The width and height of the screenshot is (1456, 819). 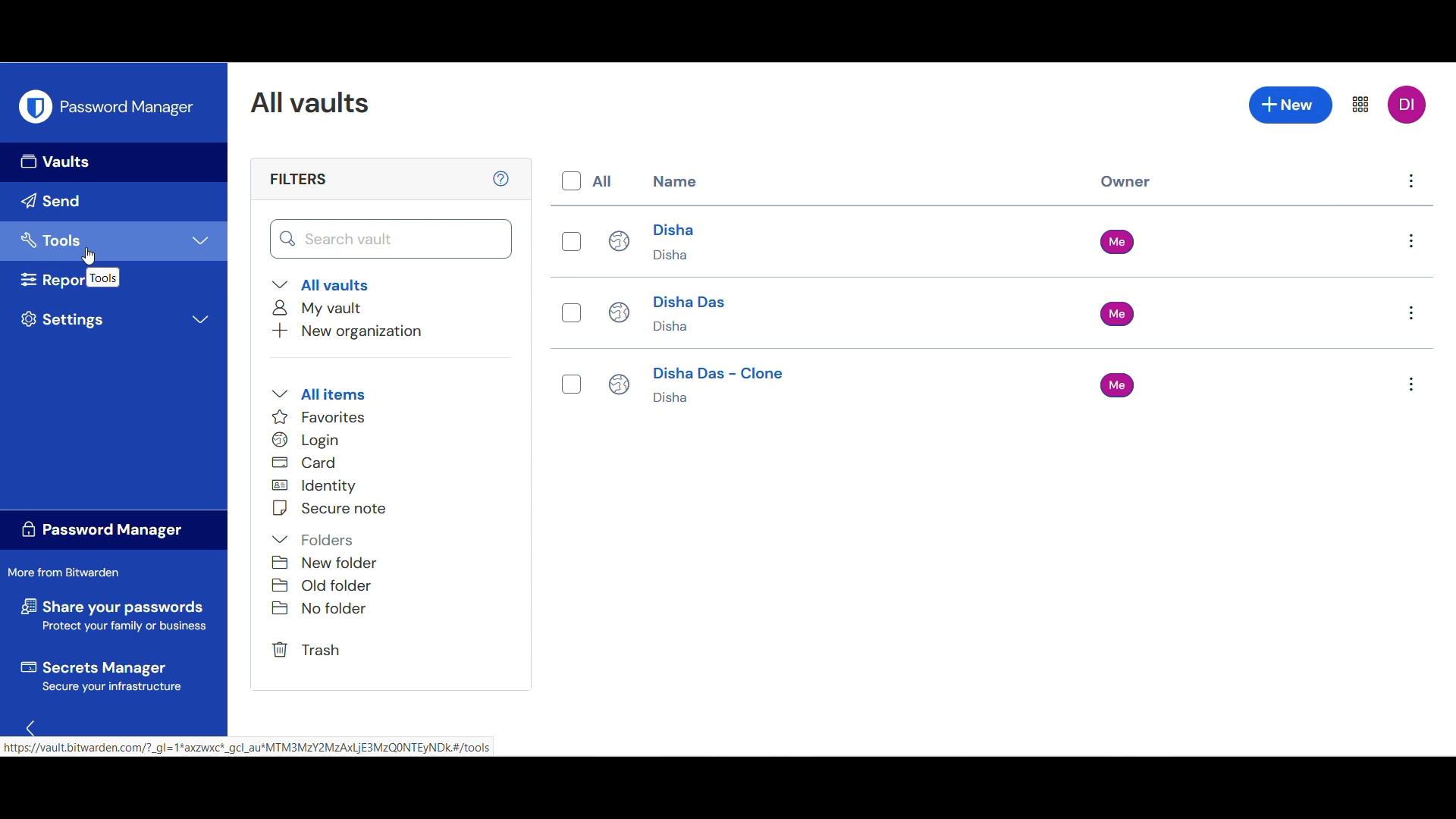 I want to click on Owner column, so click(x=1125, y=182).